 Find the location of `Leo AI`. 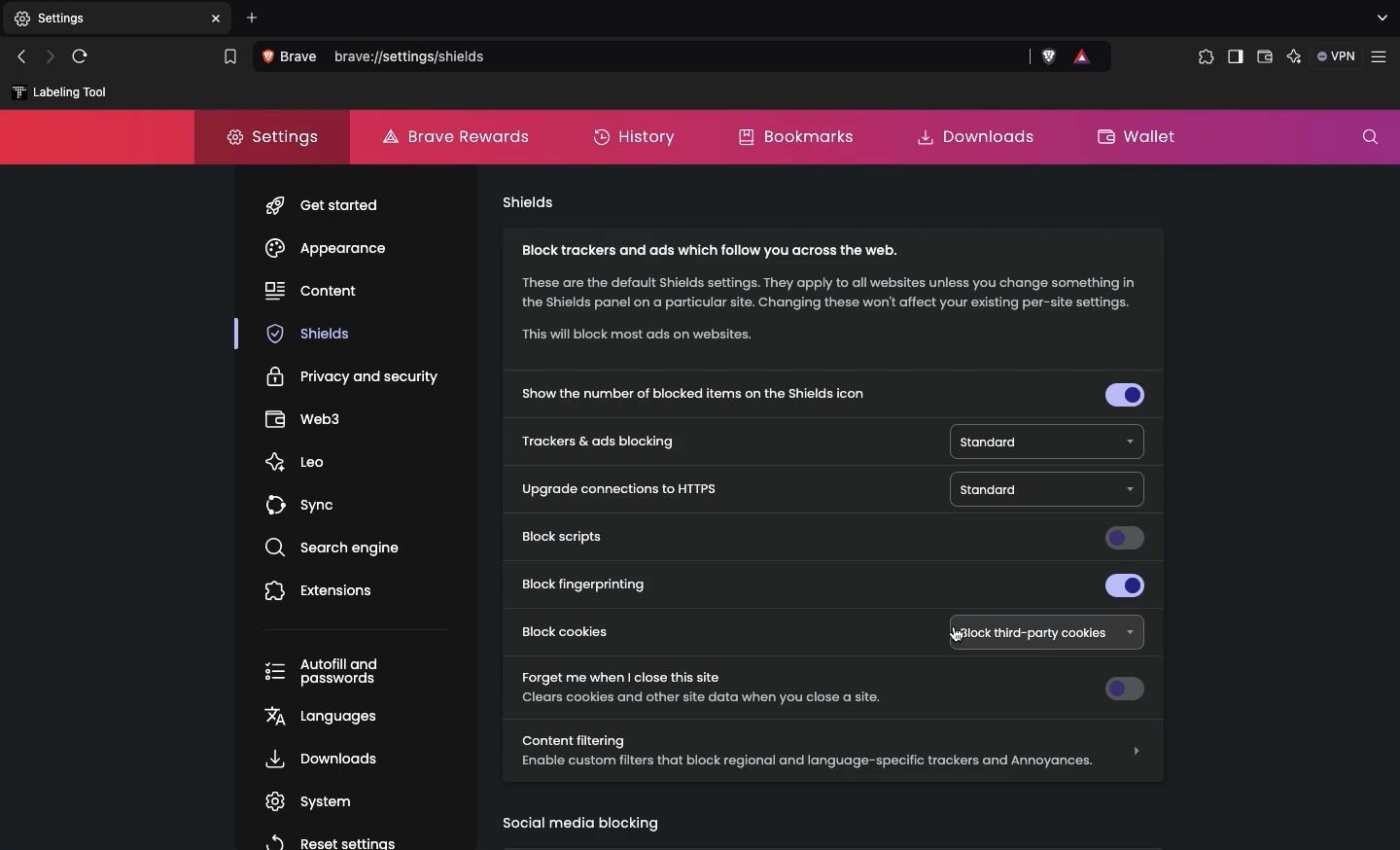

Leo AI is located at coordinates (1294, 57).